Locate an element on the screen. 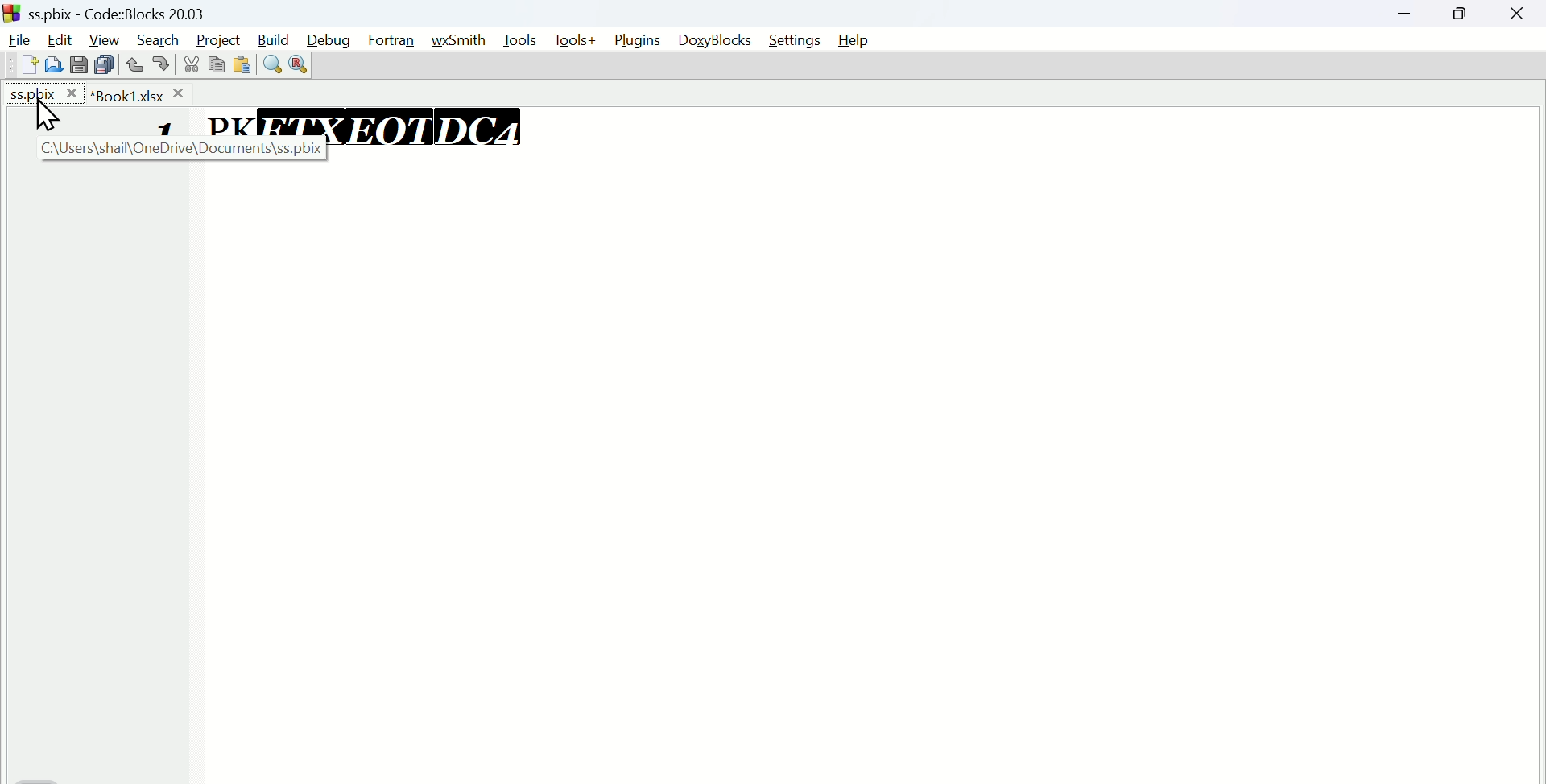  Maximise is located at coordinates (1464, 14).